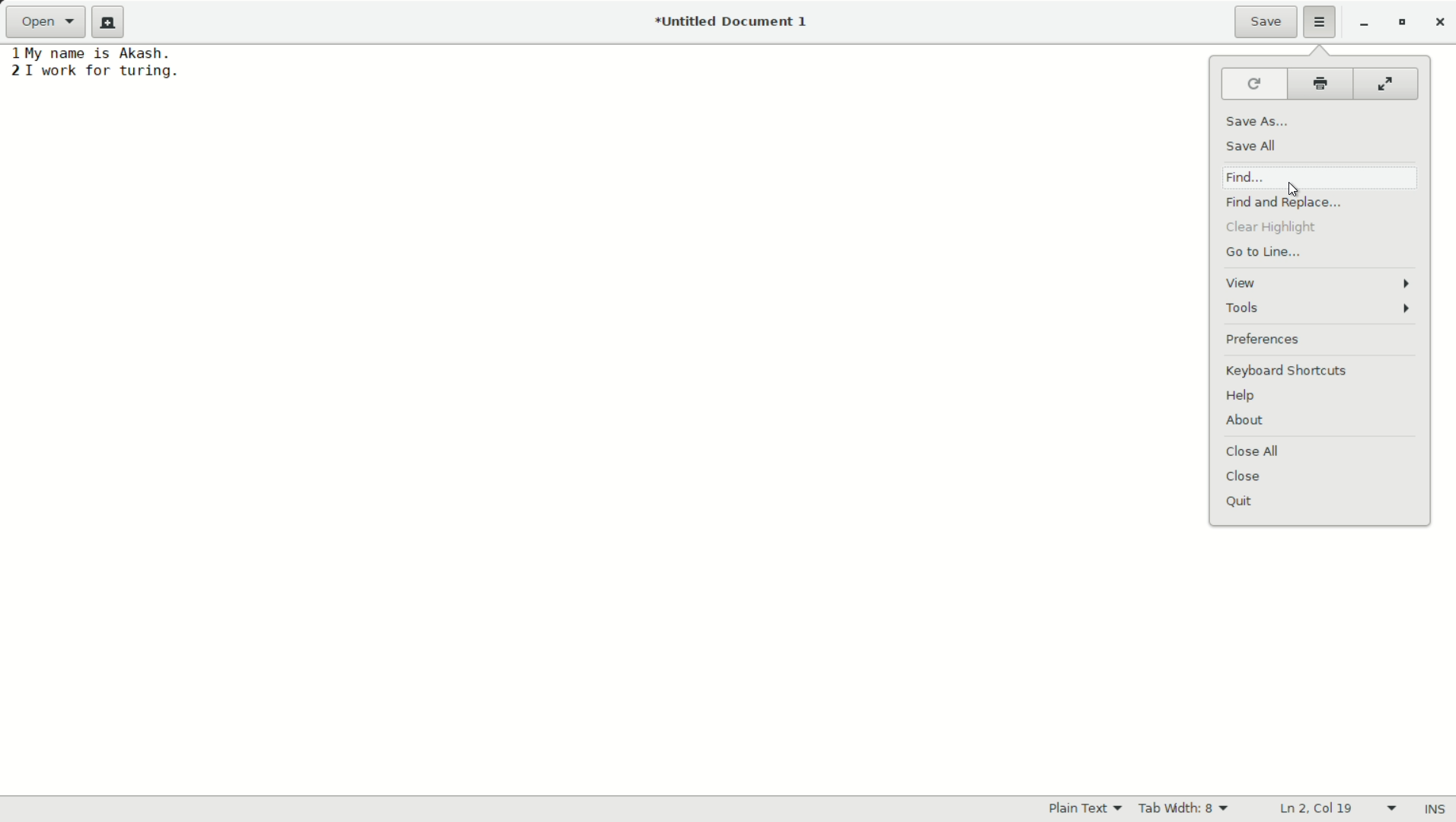 The image size is (1456, 822). What do you see at coordinates (1253, 148) in the screenshot?
I see `save all` at bounding box center [1253, 148].